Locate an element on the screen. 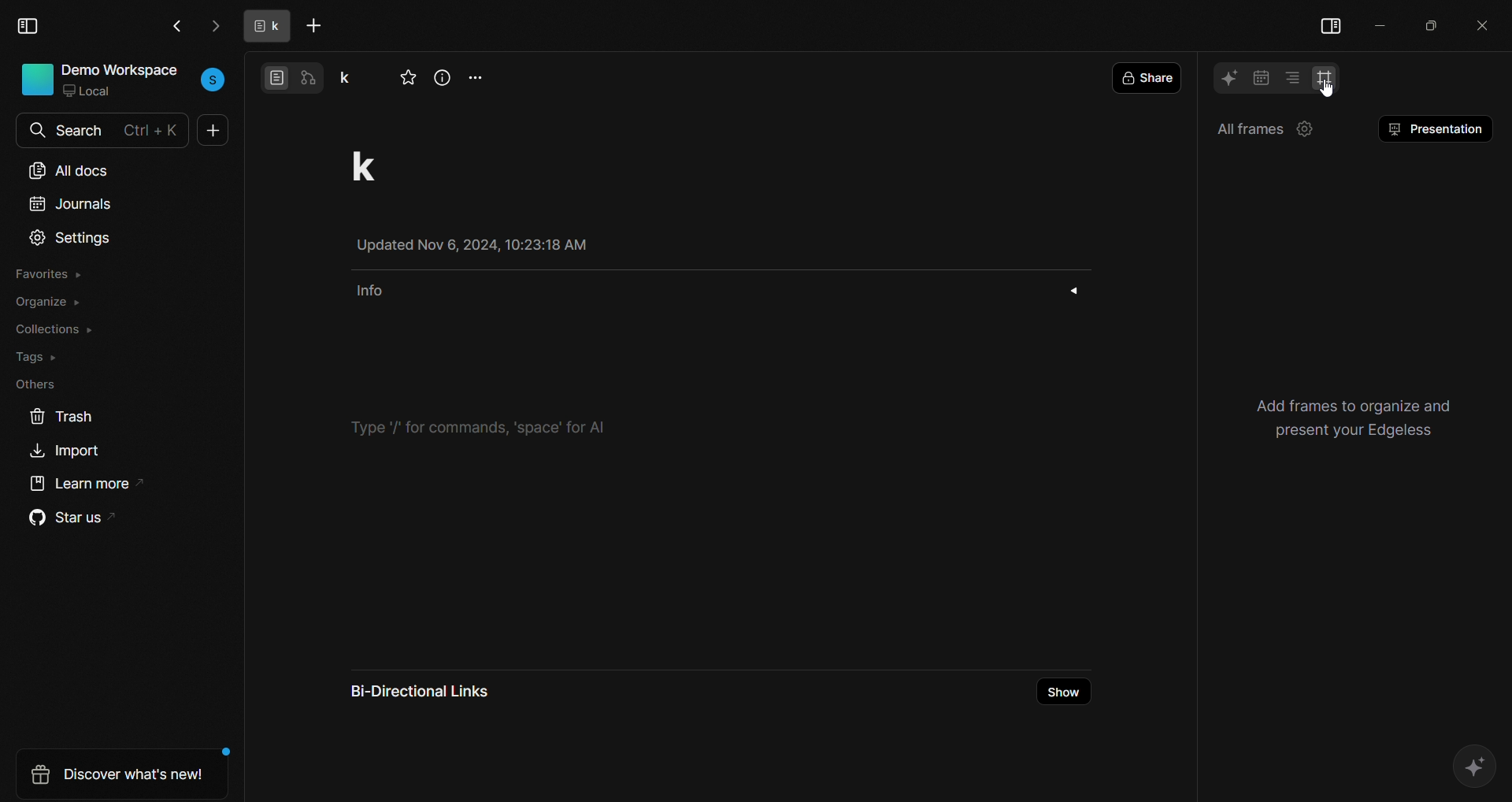 The image size is (1512, 802). maximize is located at coordinates (1431, 24).